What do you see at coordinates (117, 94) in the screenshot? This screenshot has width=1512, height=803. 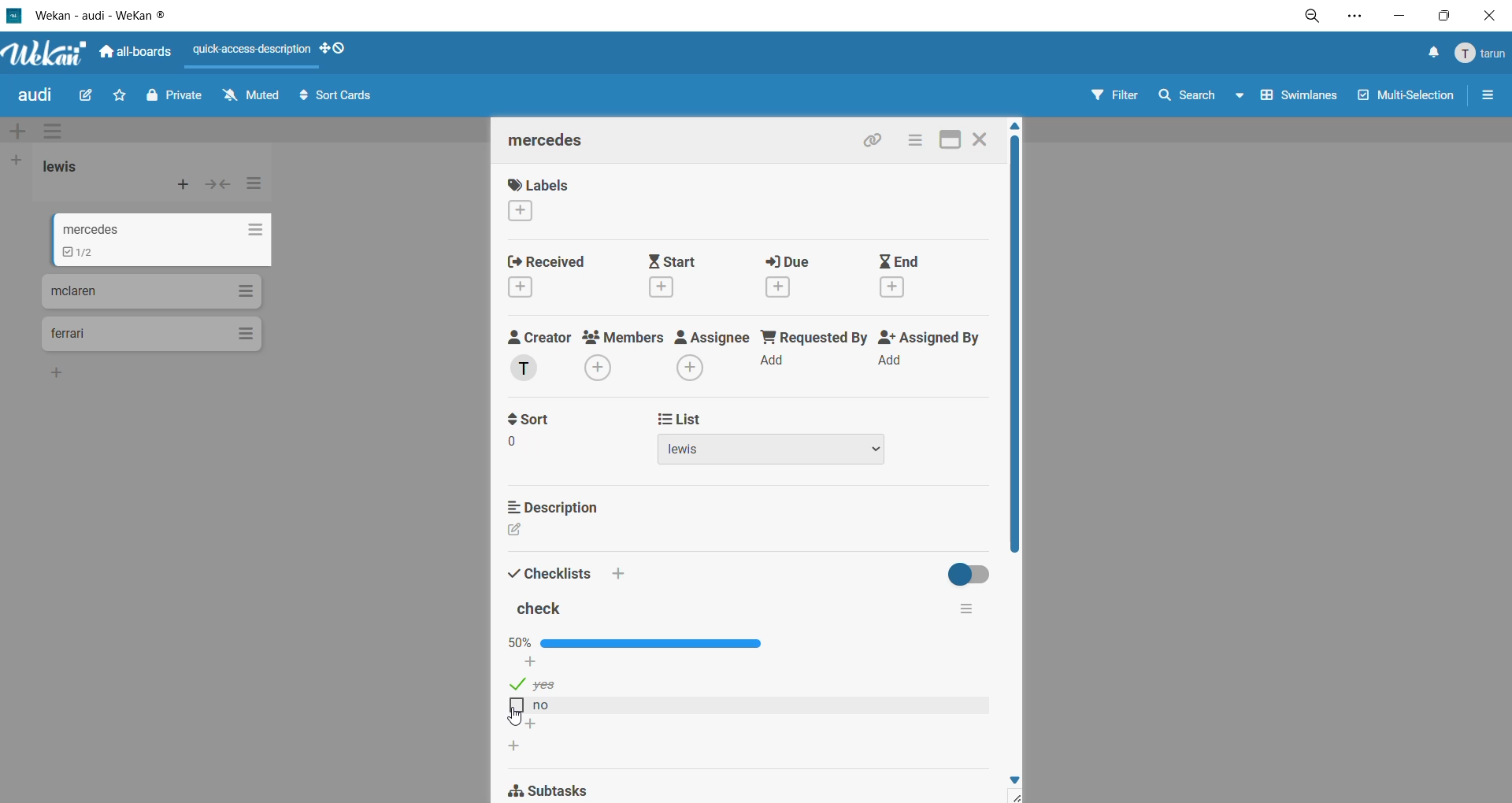 I see `star` at bounding box center [117, 94].